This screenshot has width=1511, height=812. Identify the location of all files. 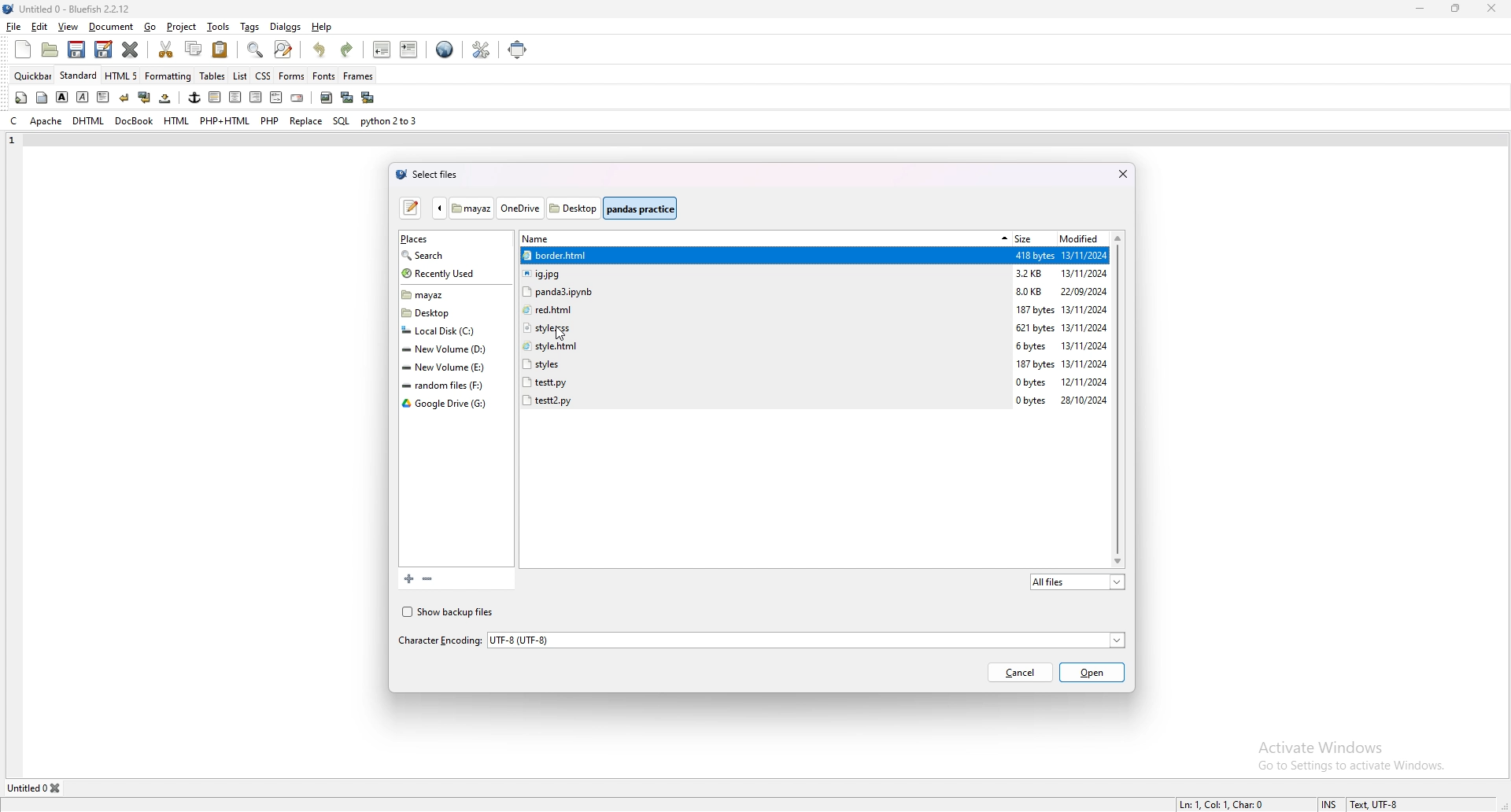
(1078, 581).